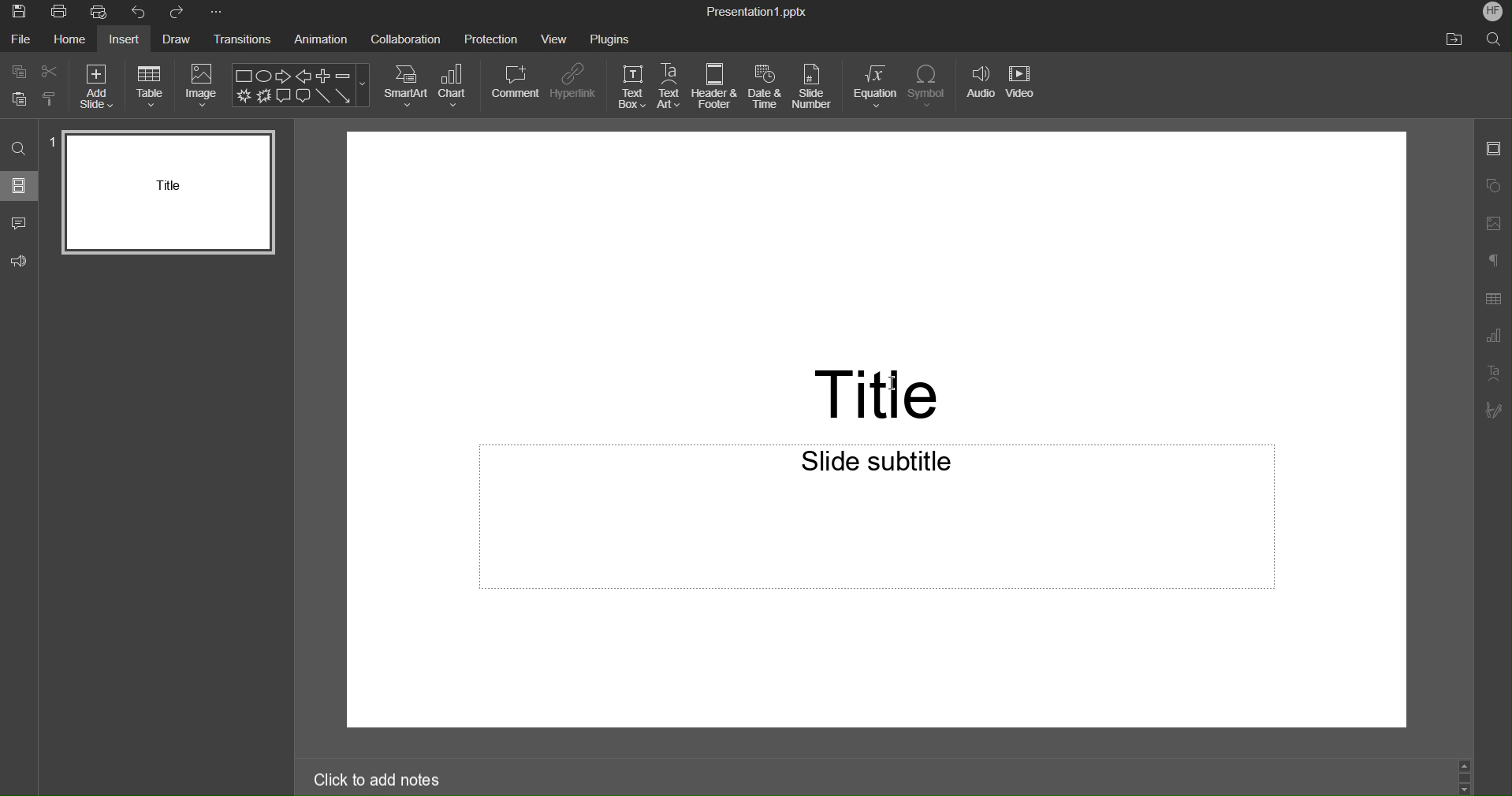 Image resolution: width=1512 pixels, height=796 pixels. Describe the element at coordinates (757, 13) in the screenshot. I see `Pesentation1.pptx` at that location.